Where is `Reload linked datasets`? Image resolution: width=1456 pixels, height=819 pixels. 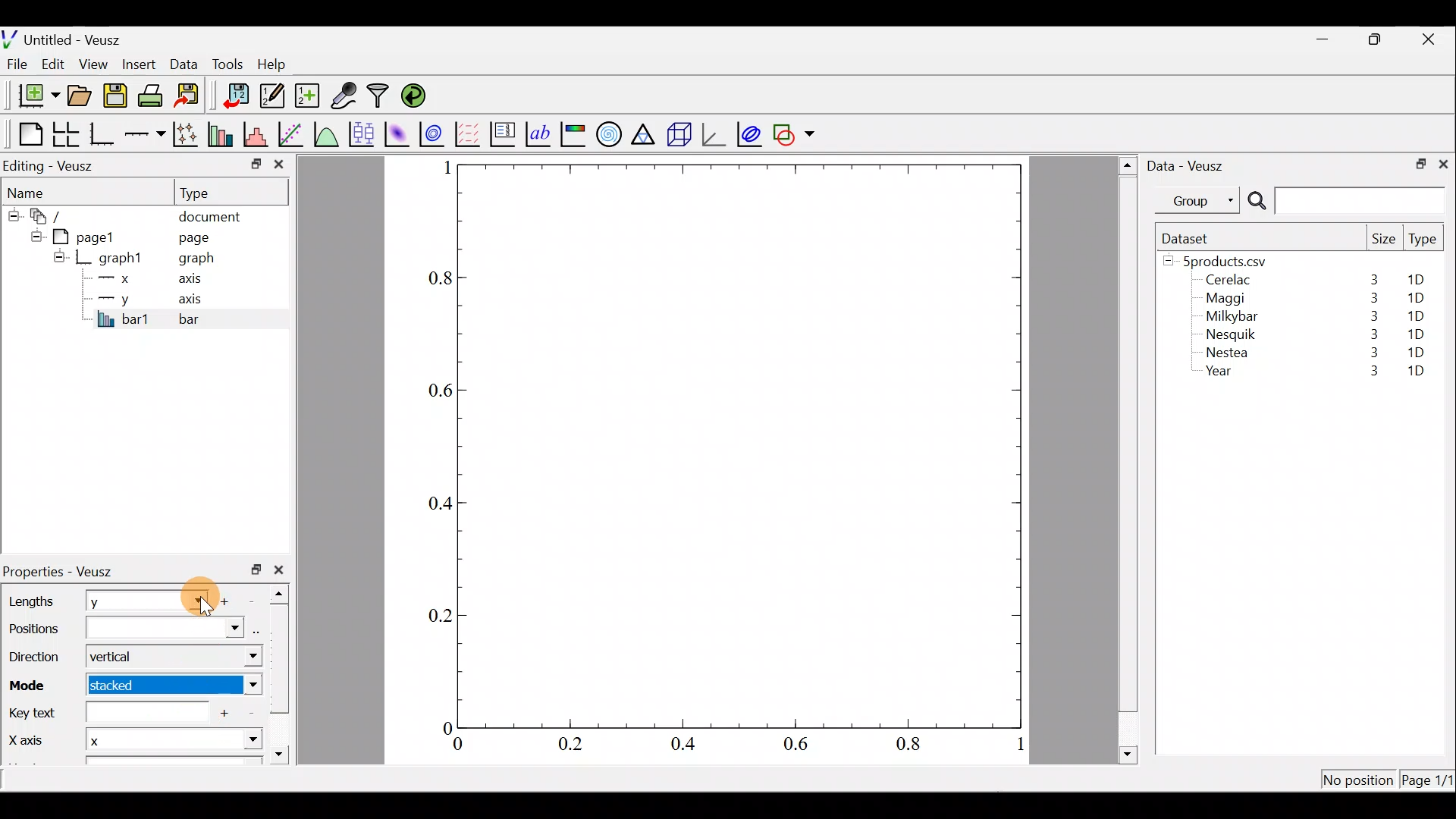 Reload linked datasets is located at coordinates (417, 95).